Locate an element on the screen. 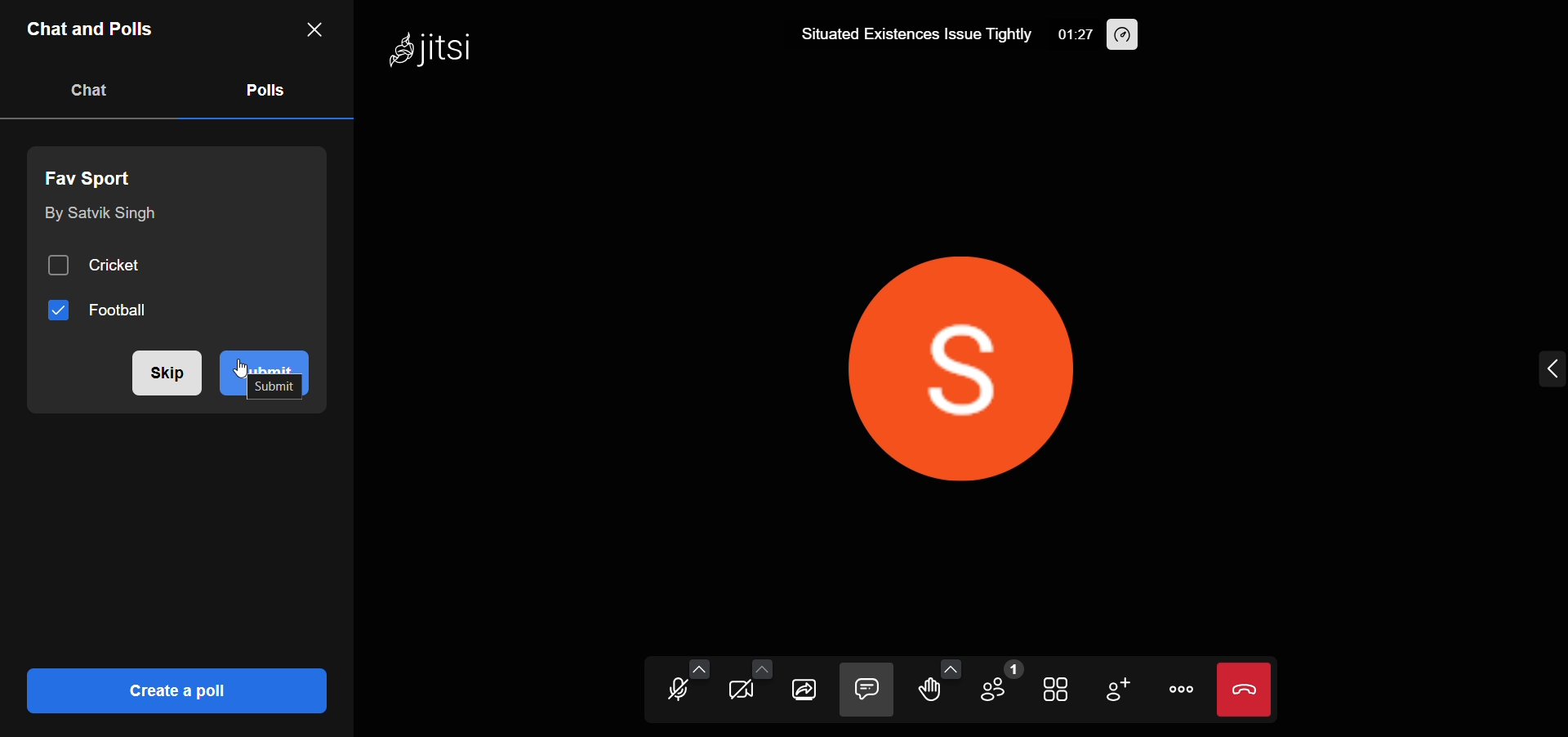  more emoji is located at coordinates (951, 666).